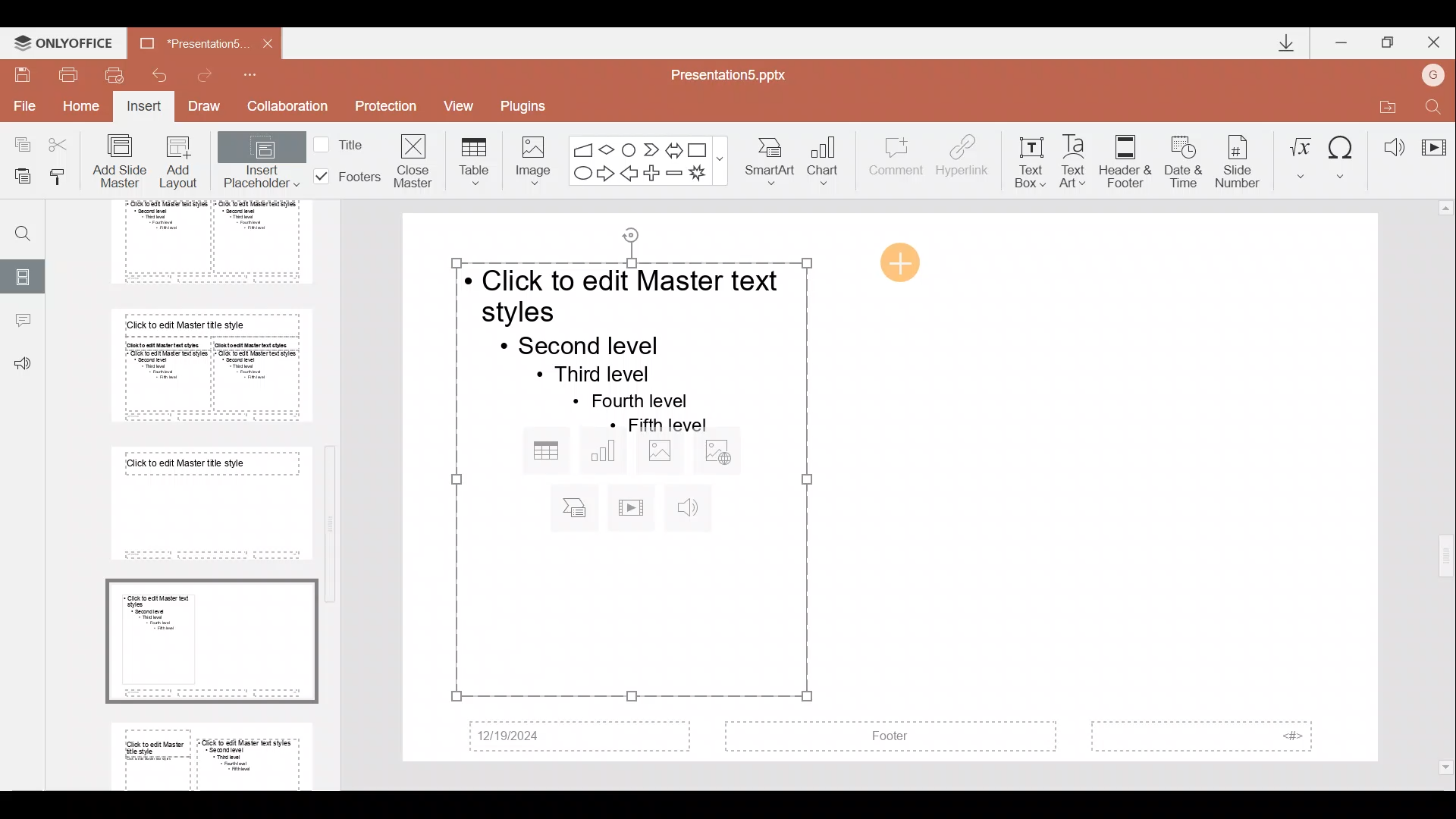 The image size is (1456, 819). Describe the element at coordinates (605, 174) in the screenshot. I see `Right arrow` at that location.